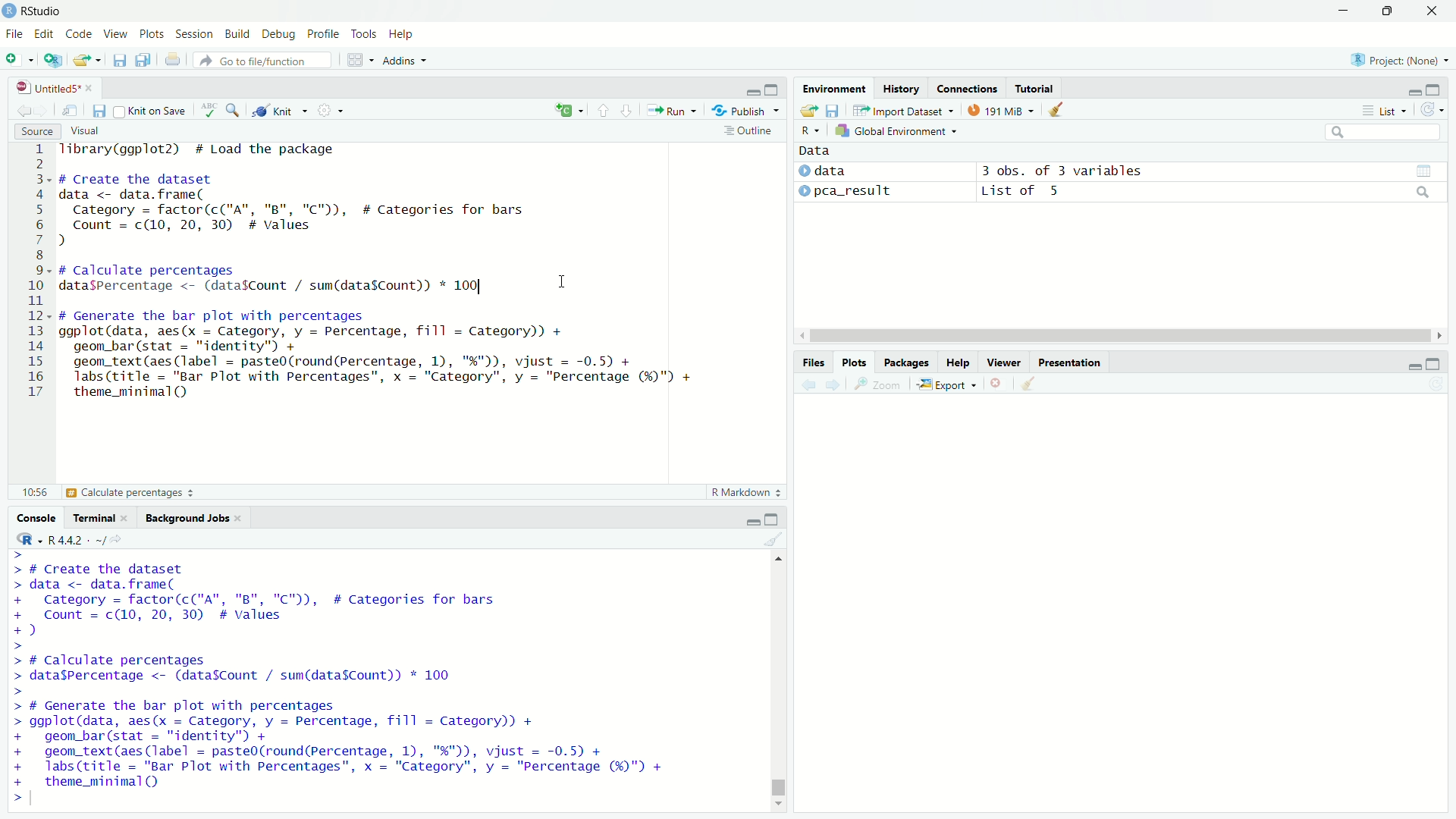 This screenshot has width=1456, height=819. I want to click on data1 : data, so click(856, 171).